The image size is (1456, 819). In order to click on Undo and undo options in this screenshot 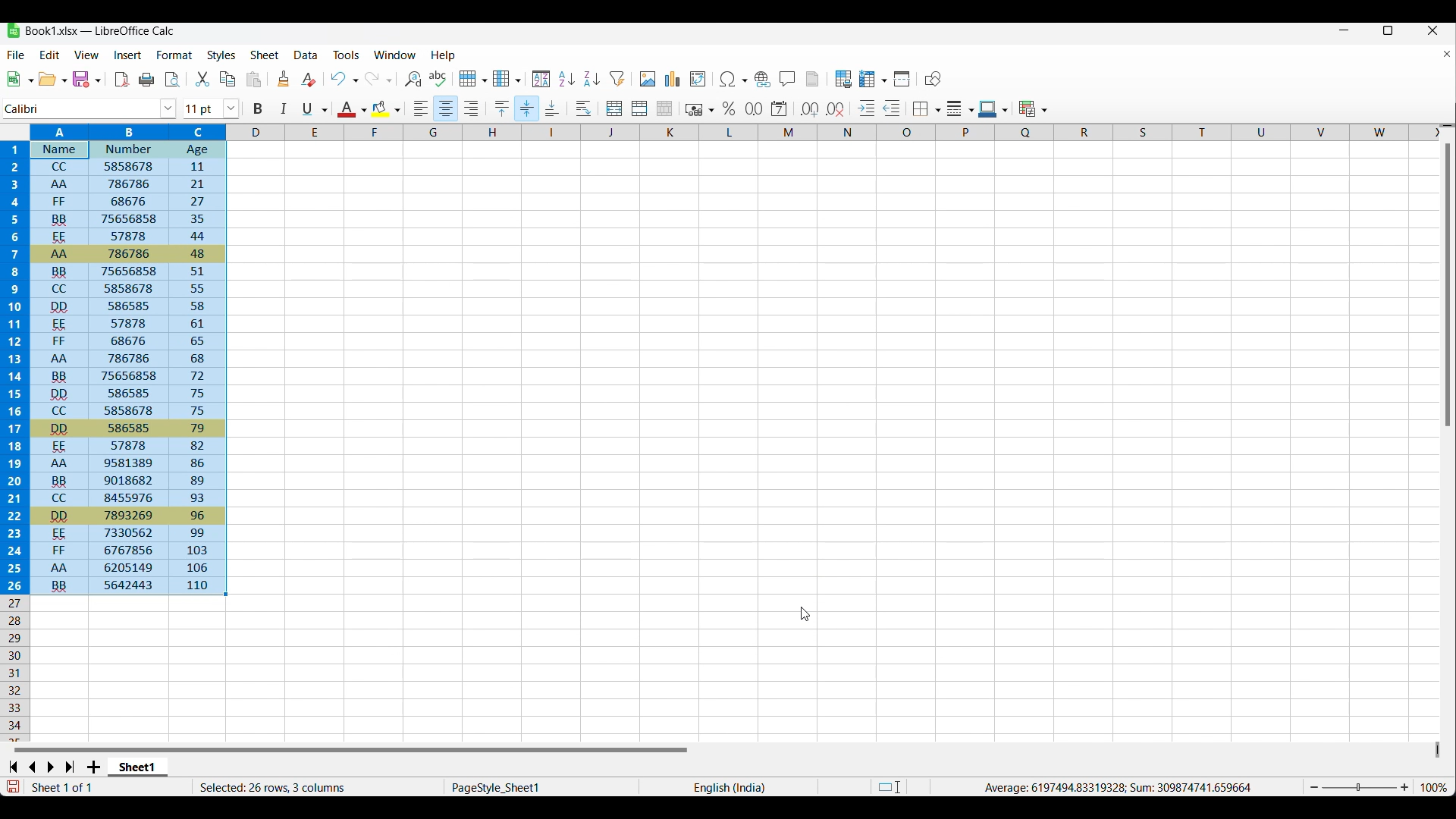, I will do `click(344, 78)`.